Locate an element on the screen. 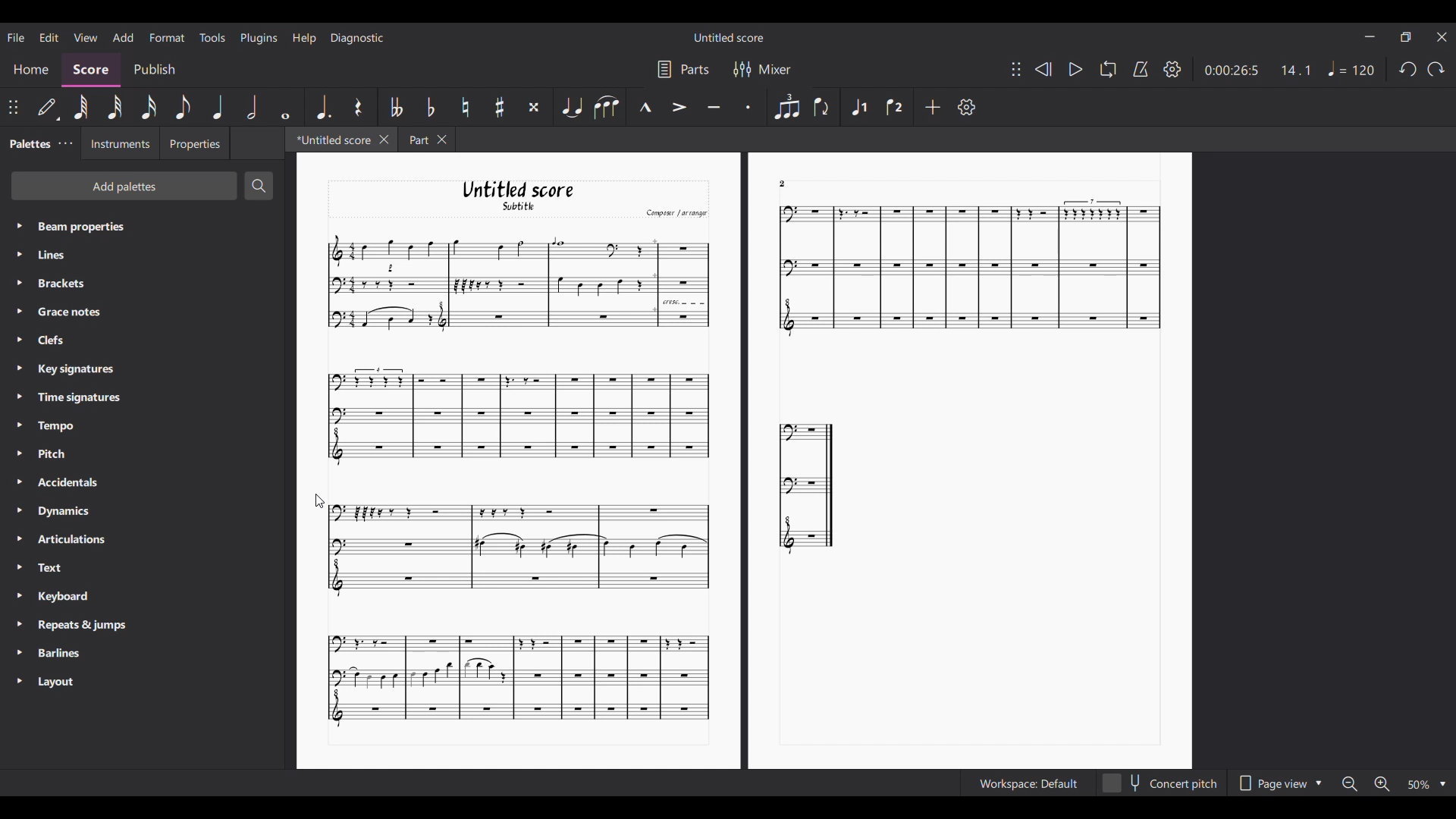  32nd note is located at coordinates (115, 107).